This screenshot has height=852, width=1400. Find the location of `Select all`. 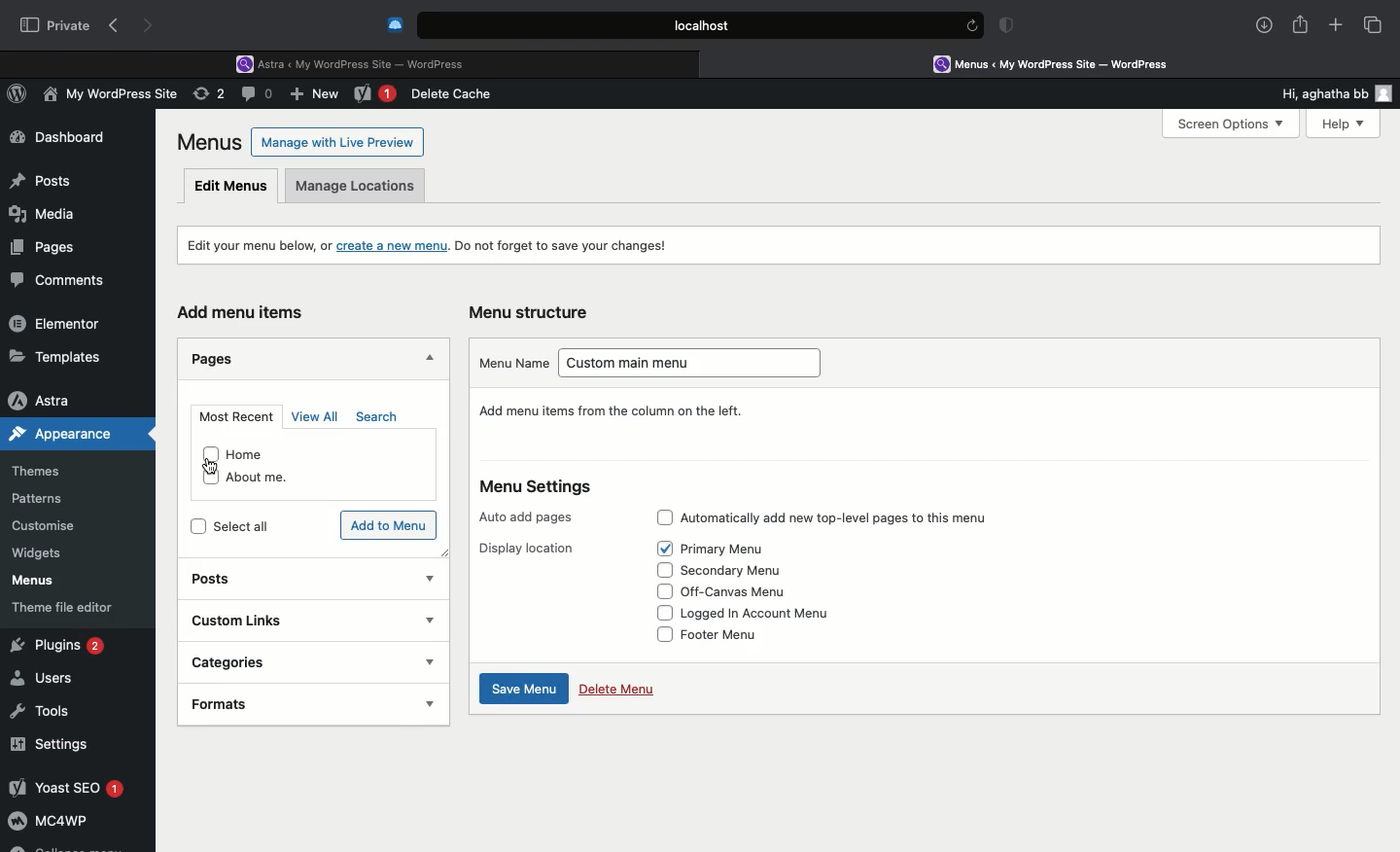

Select all is located at coordinates (248, 528).